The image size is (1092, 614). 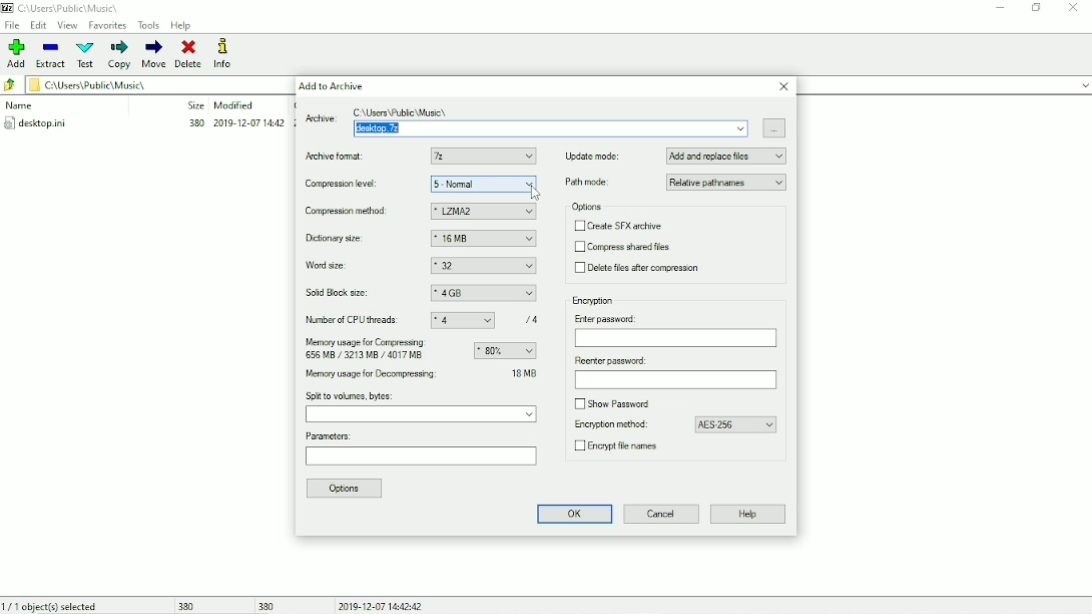 I want to click on Archive, so click(x=319, y=122).